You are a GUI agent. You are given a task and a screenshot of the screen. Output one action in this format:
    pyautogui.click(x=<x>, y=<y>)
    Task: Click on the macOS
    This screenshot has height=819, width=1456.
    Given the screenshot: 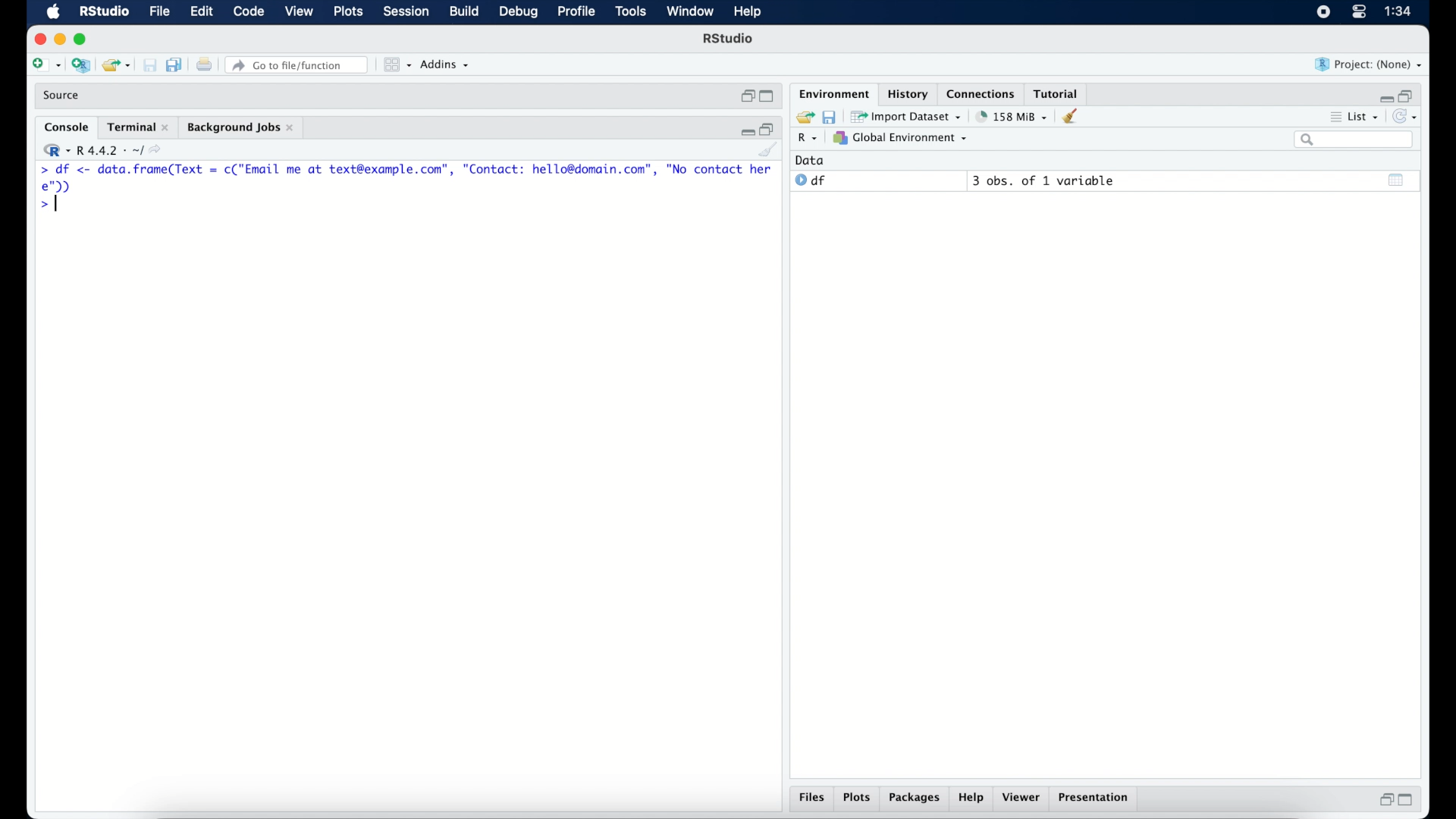 What is the action you would take?
    pyautogui.click(x=52, y=12)
    